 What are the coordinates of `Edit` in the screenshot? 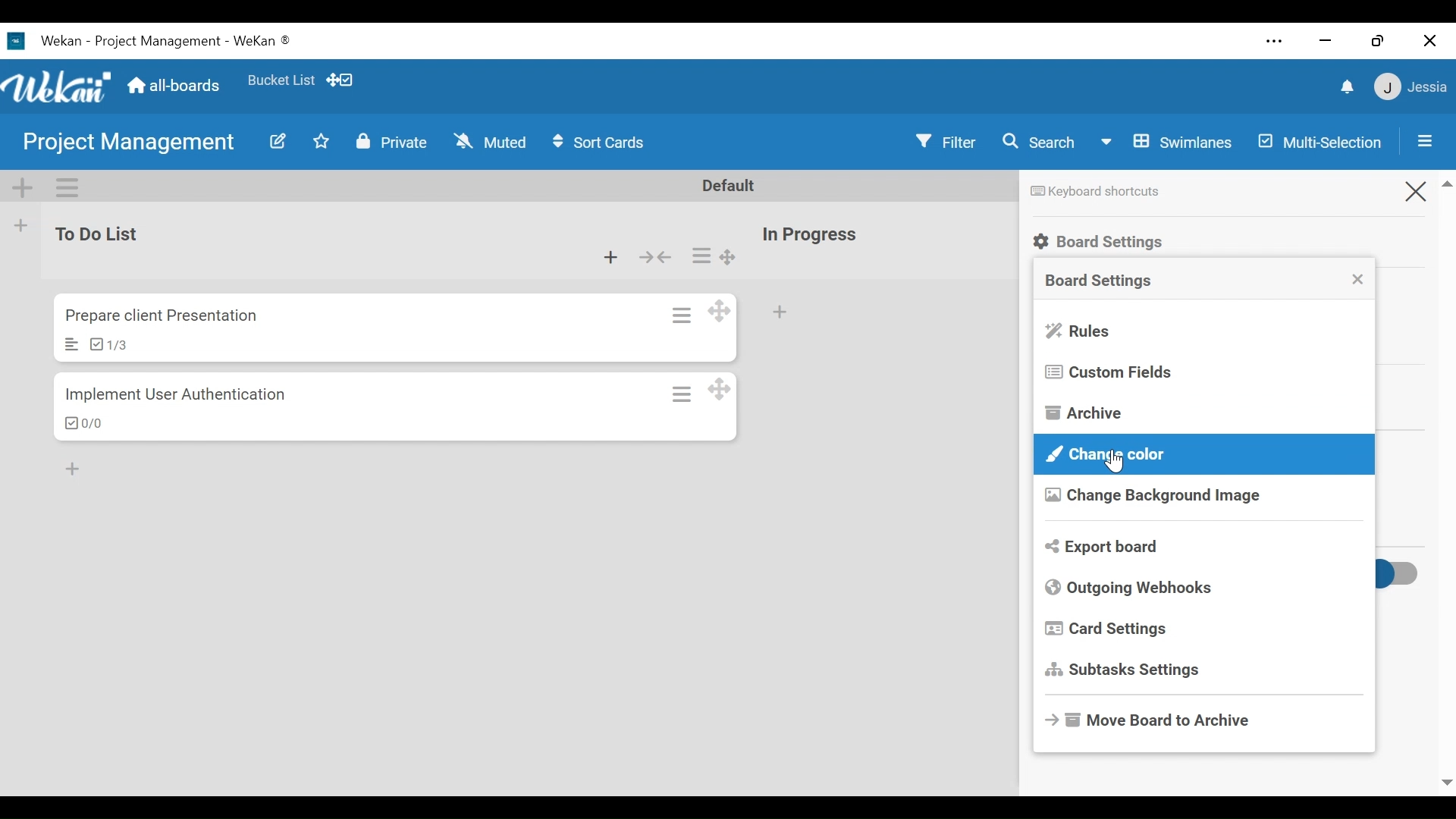 It's located at (276, 142).